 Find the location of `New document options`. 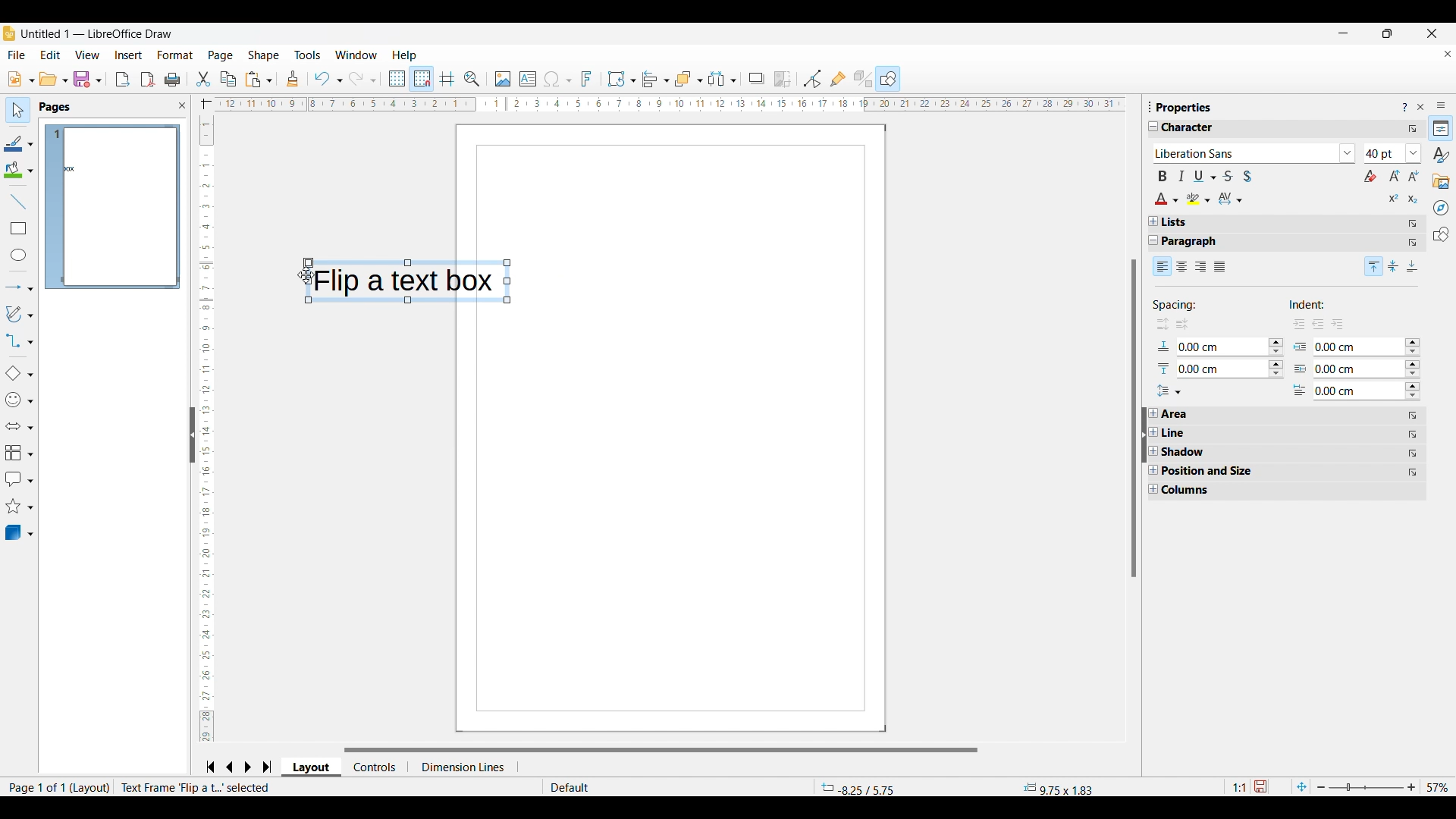

New document options is located at coordinates (21, 79).